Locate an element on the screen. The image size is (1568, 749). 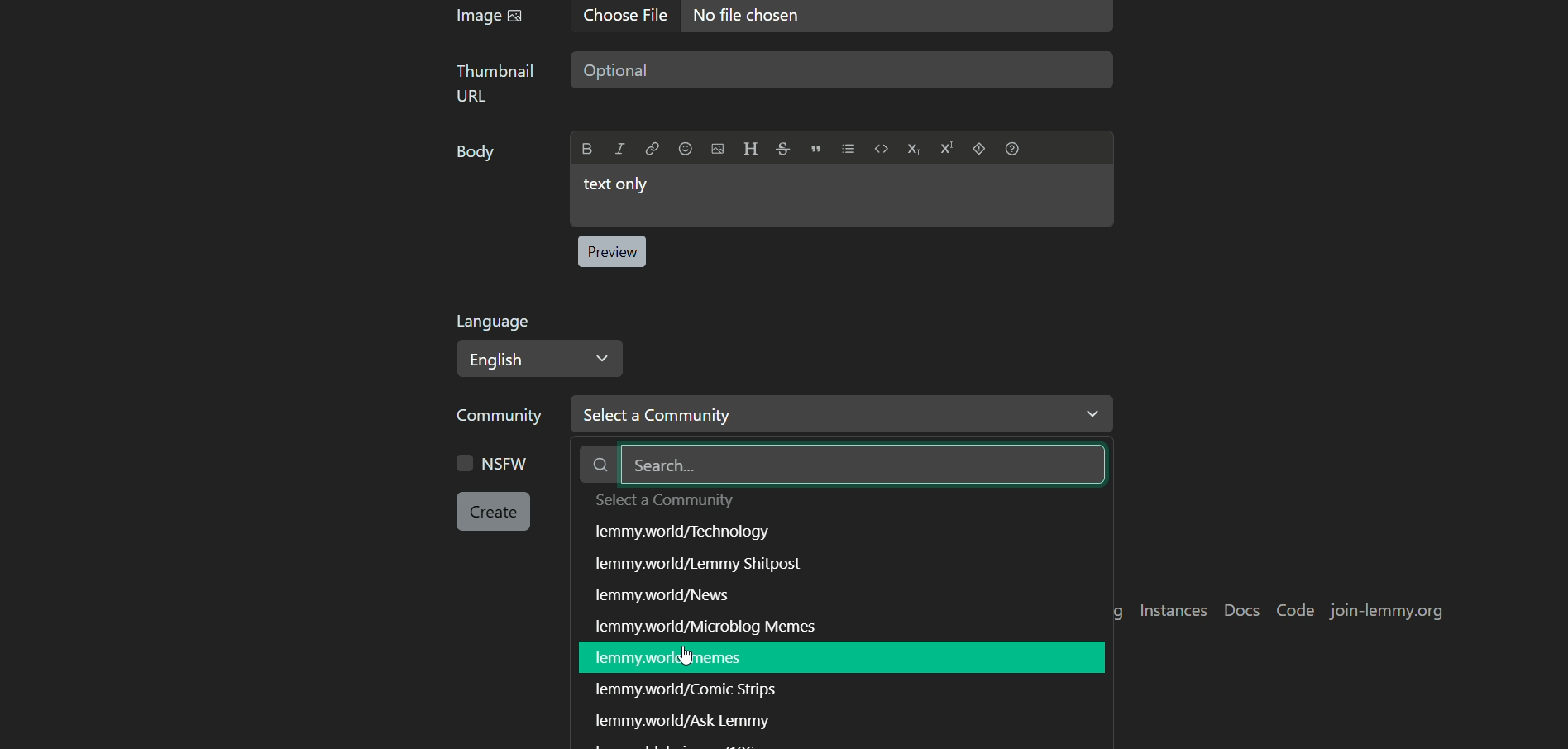
Formatting help is located at coordinates (1012, 149).